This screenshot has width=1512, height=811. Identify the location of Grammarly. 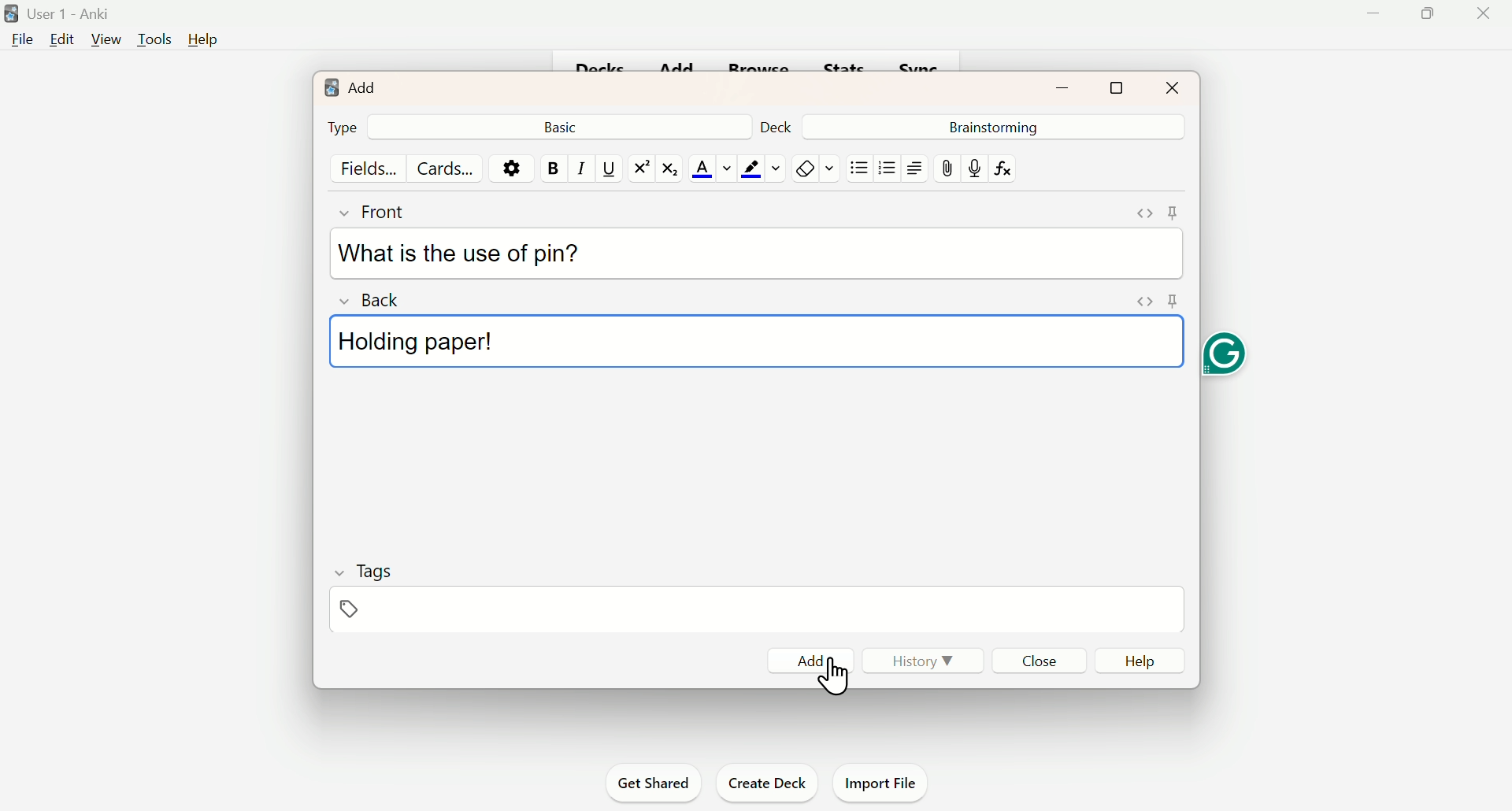
(1223, 357).